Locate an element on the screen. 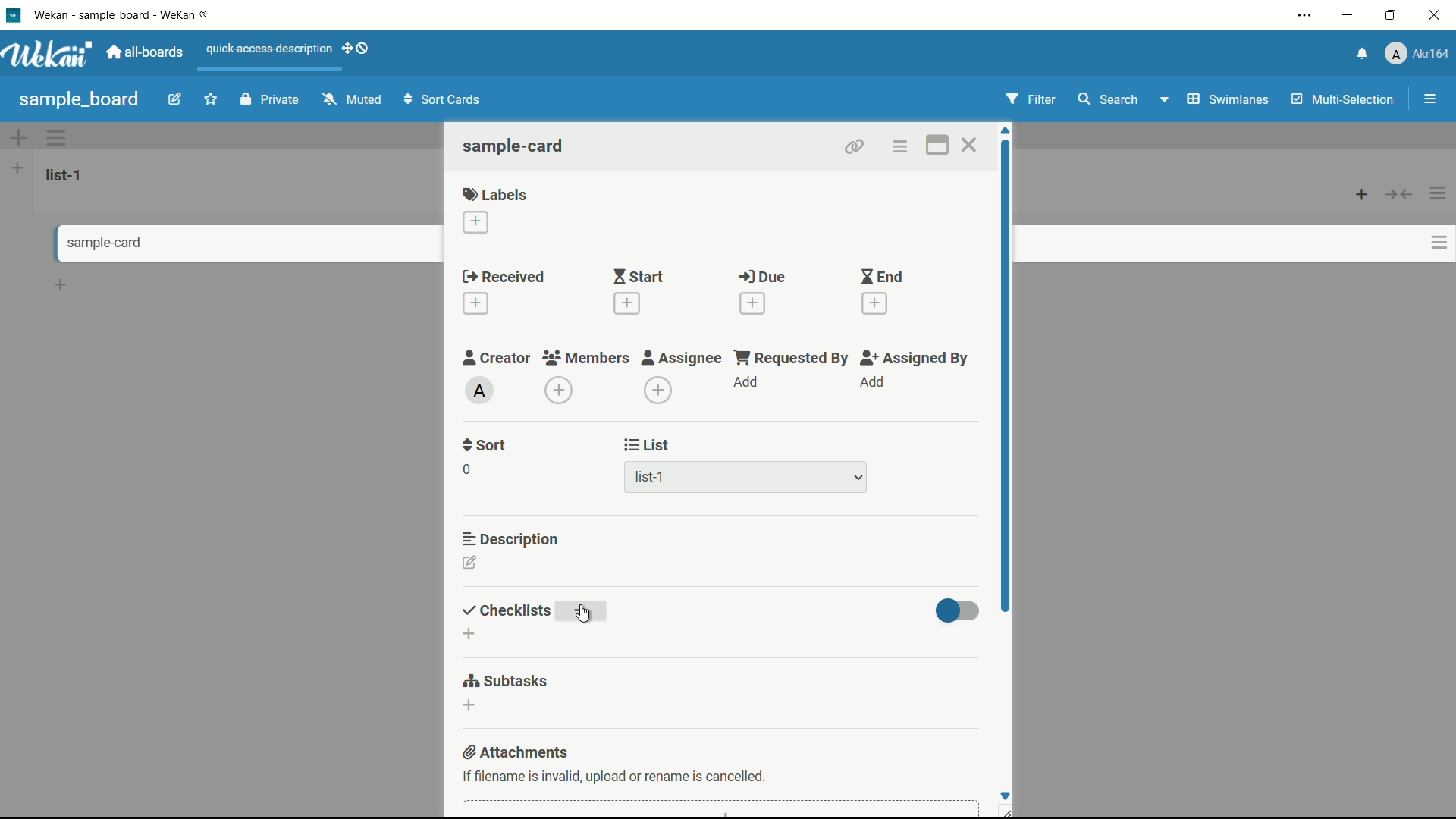 This screenshot has height=819, width=1456. add is located at coordinates (871, 382).